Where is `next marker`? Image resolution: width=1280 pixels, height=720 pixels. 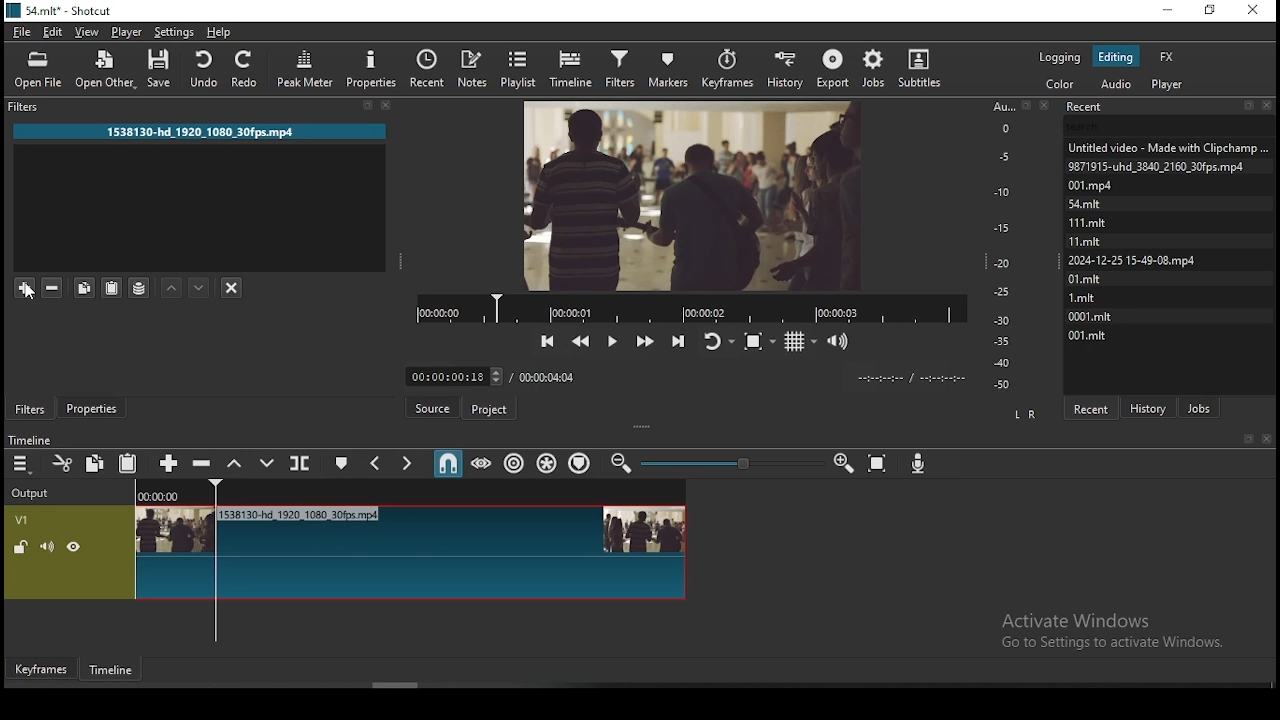
next marker is located at coordinates (404, 464).